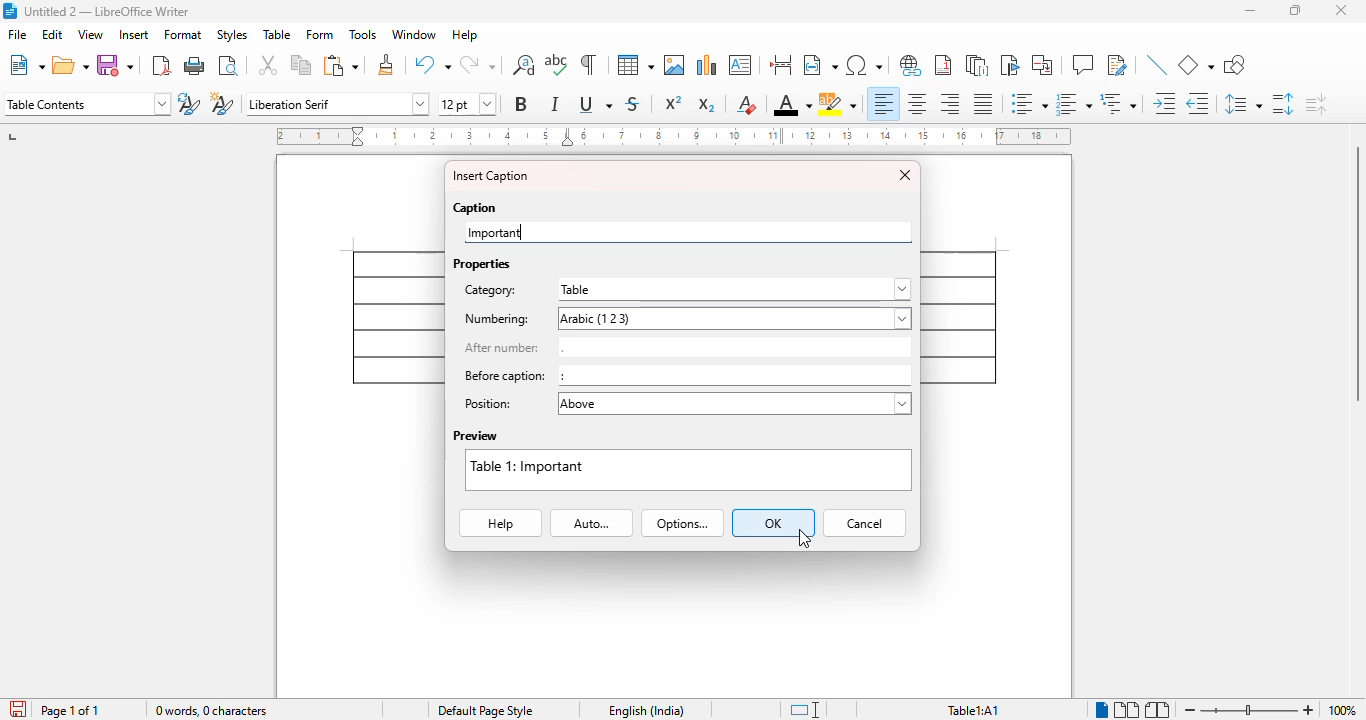 Image resolution: width=1366 pixels, height=720 pixels. I want to click on toggle formatting marks , so click(588, 64).